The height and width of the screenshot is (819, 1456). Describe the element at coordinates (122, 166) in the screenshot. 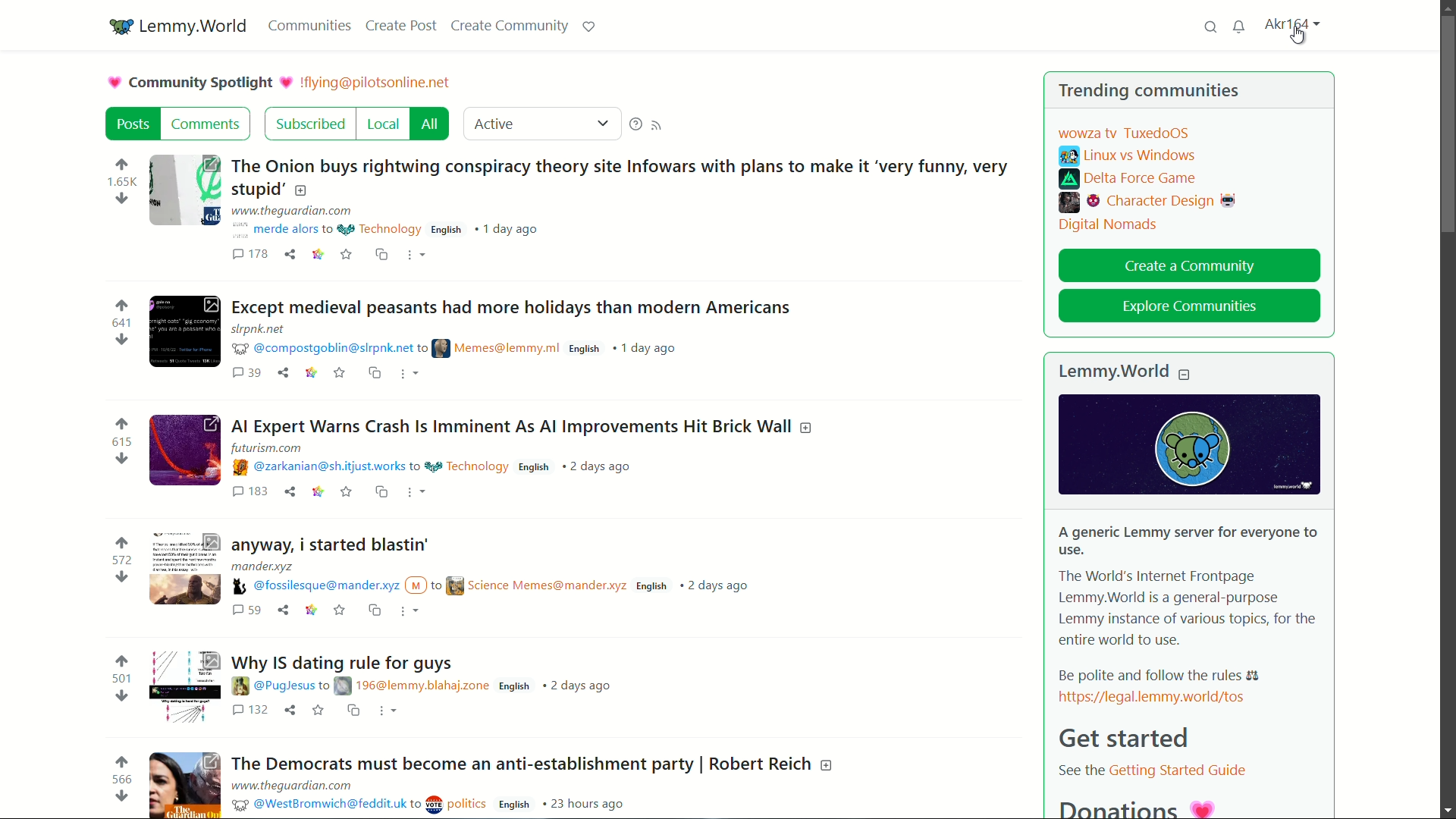

I see `upvote` at that location.